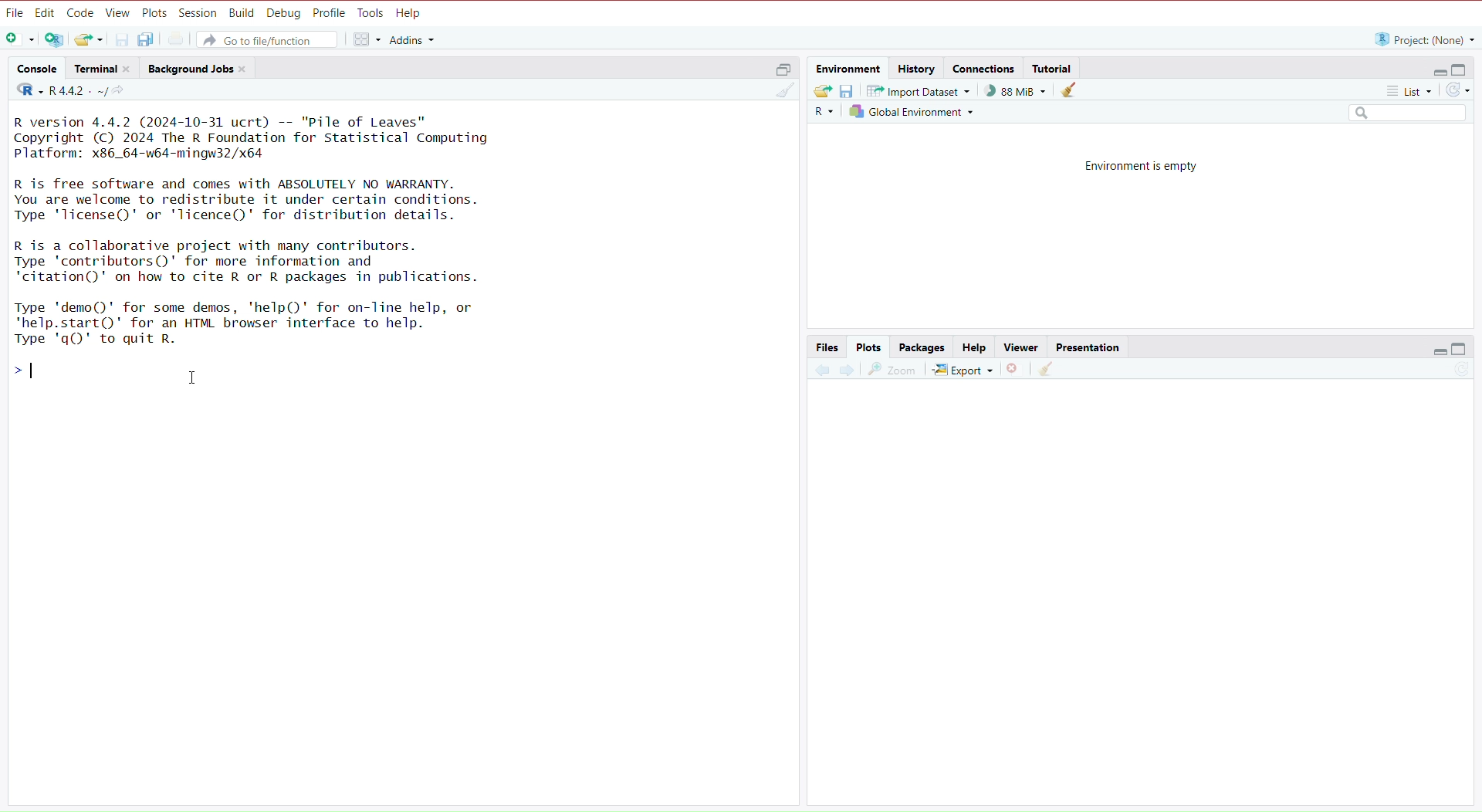 The height and width of the screenshot is (812, 1482). I want to click on Search, so click(1405, 112).